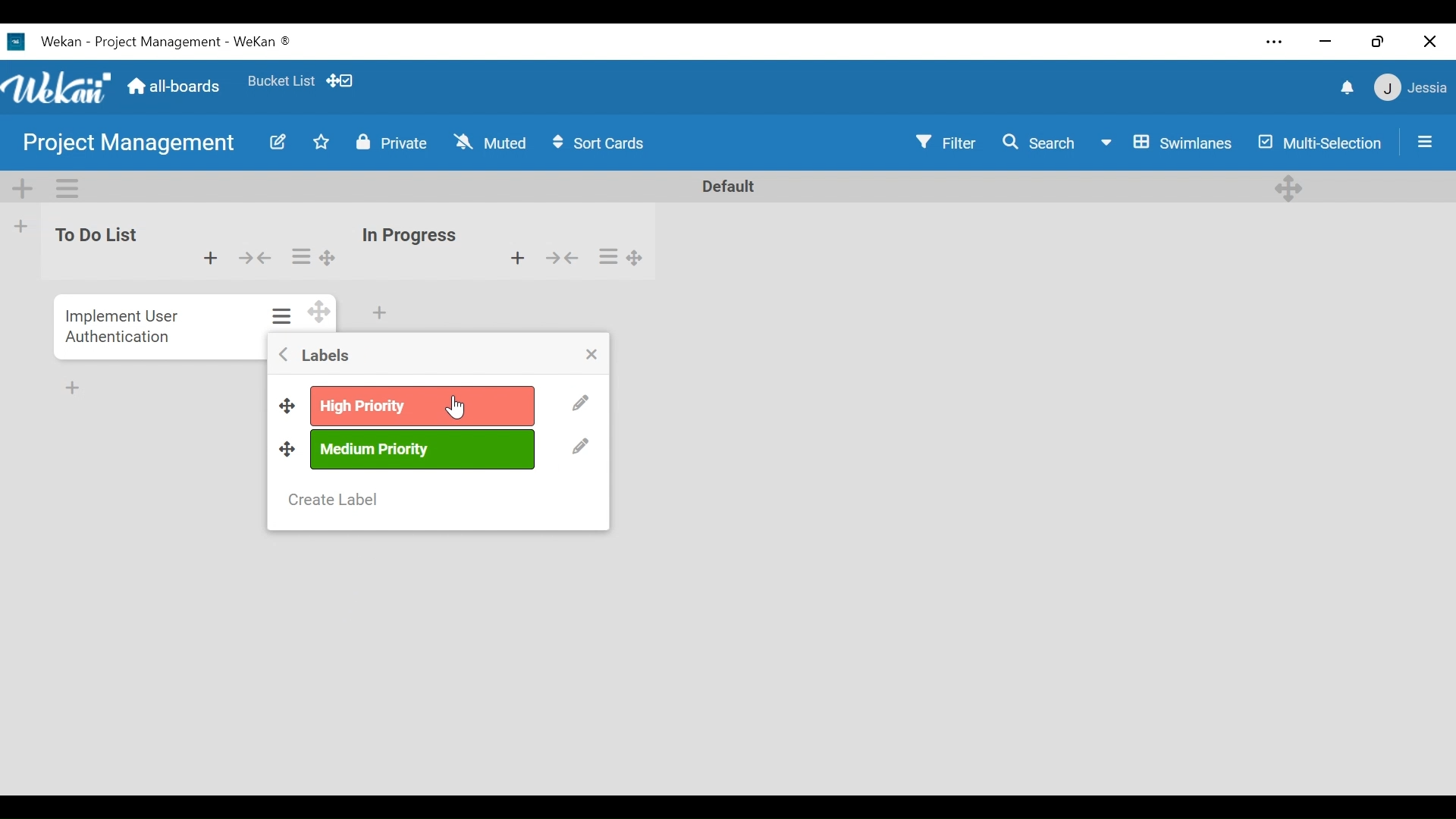 The image size is (1456, 819). What do you see at coordinates (284, 356) in the screenshot?
I see `previous` at bounding box center [284, 356].